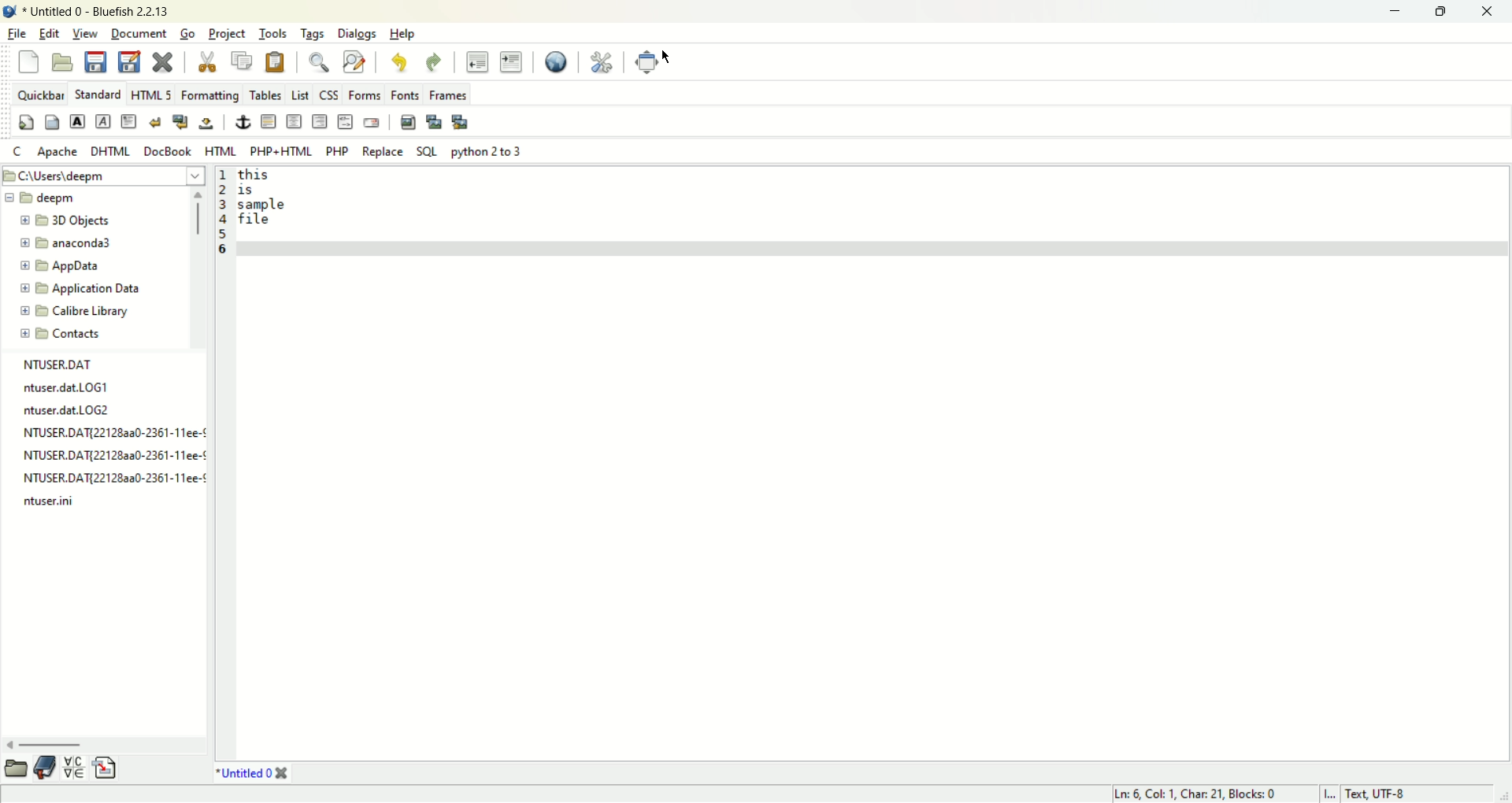 The image size is (1512, 803). Describe the element at coordinates (336, 153) in the screenshot. I see `PHP` at that location.